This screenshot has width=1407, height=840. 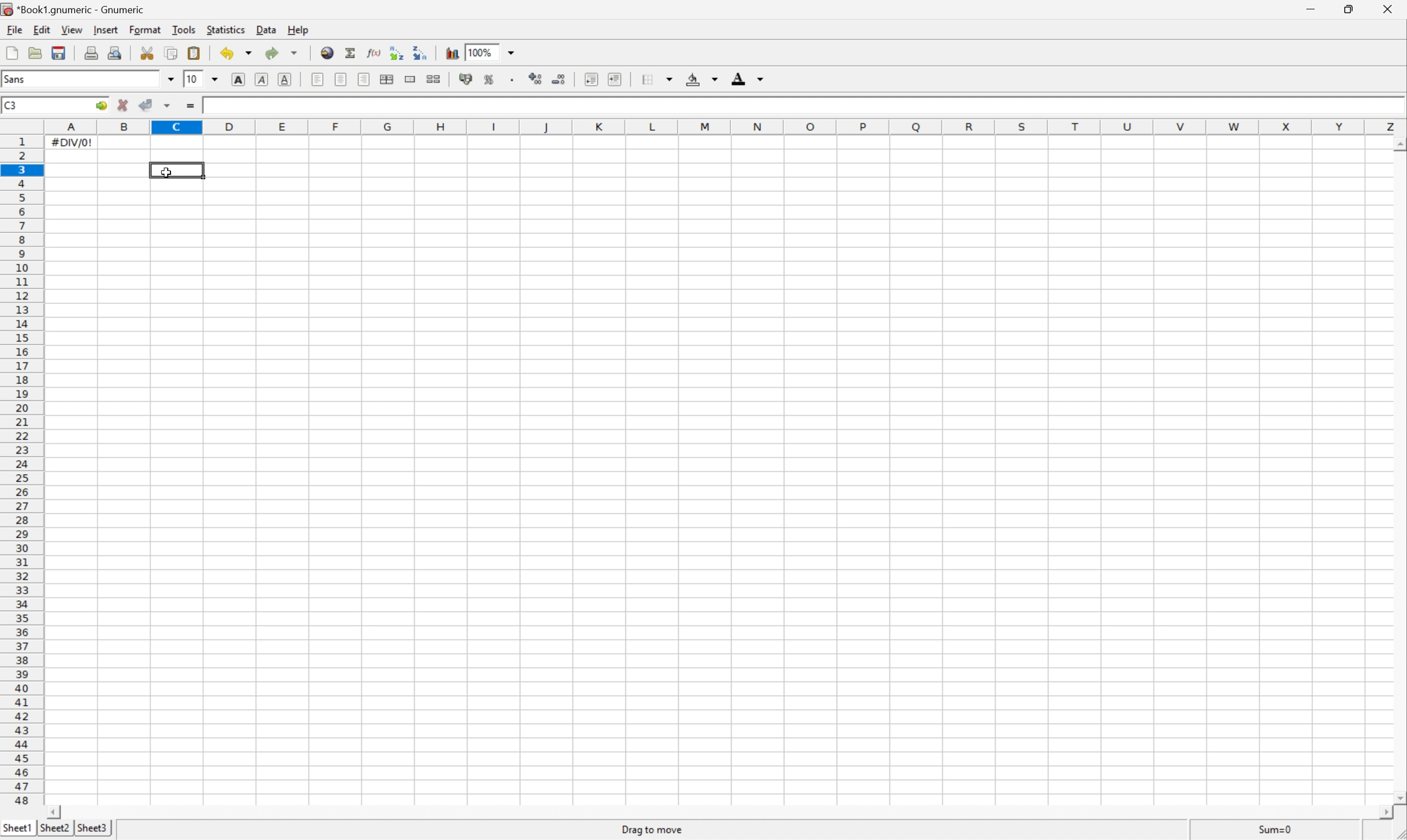 I want to click on Sheet3, so click(x=94, y=828).